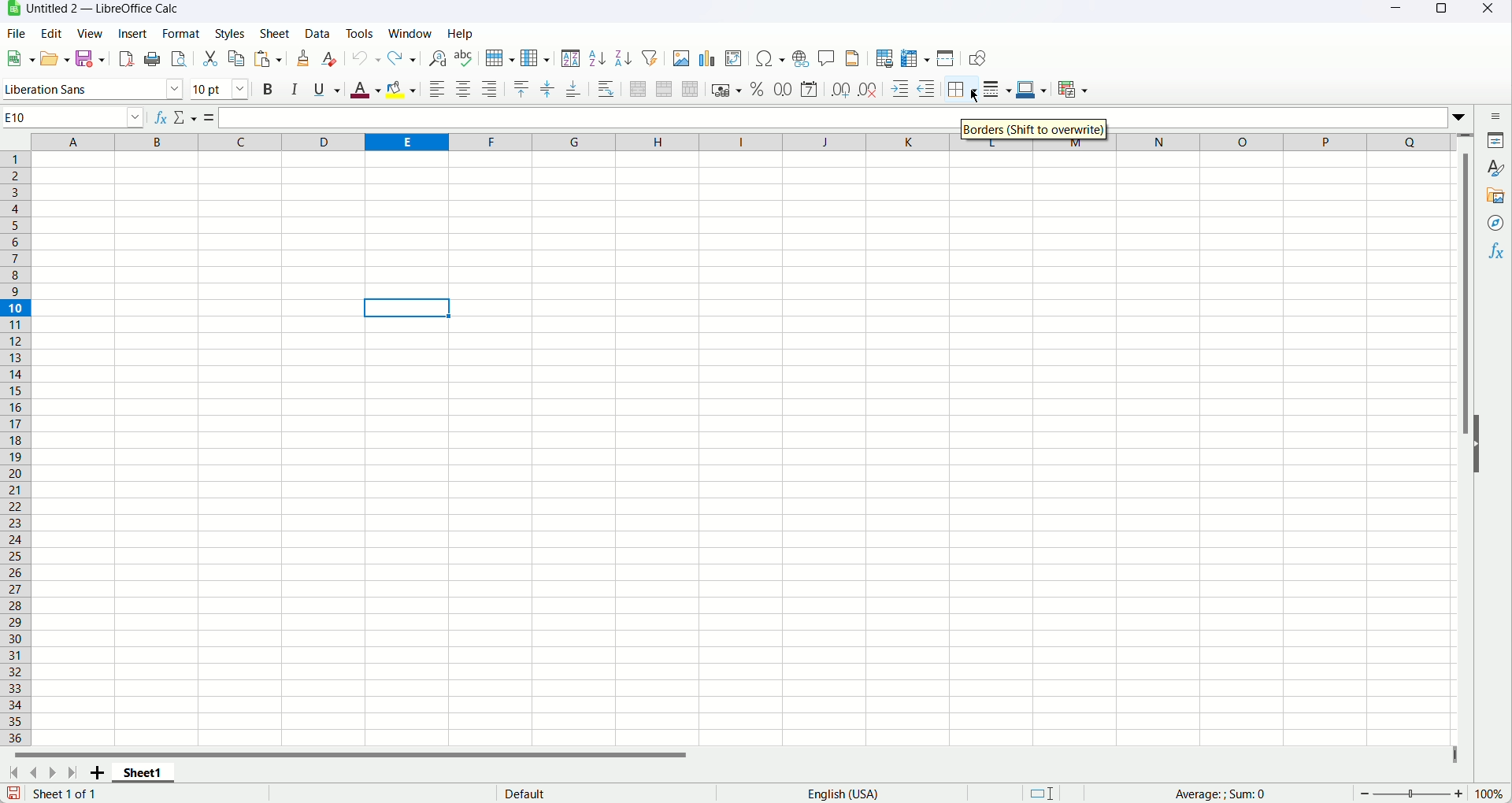  I want to click on Styles, so click(1497, 168).